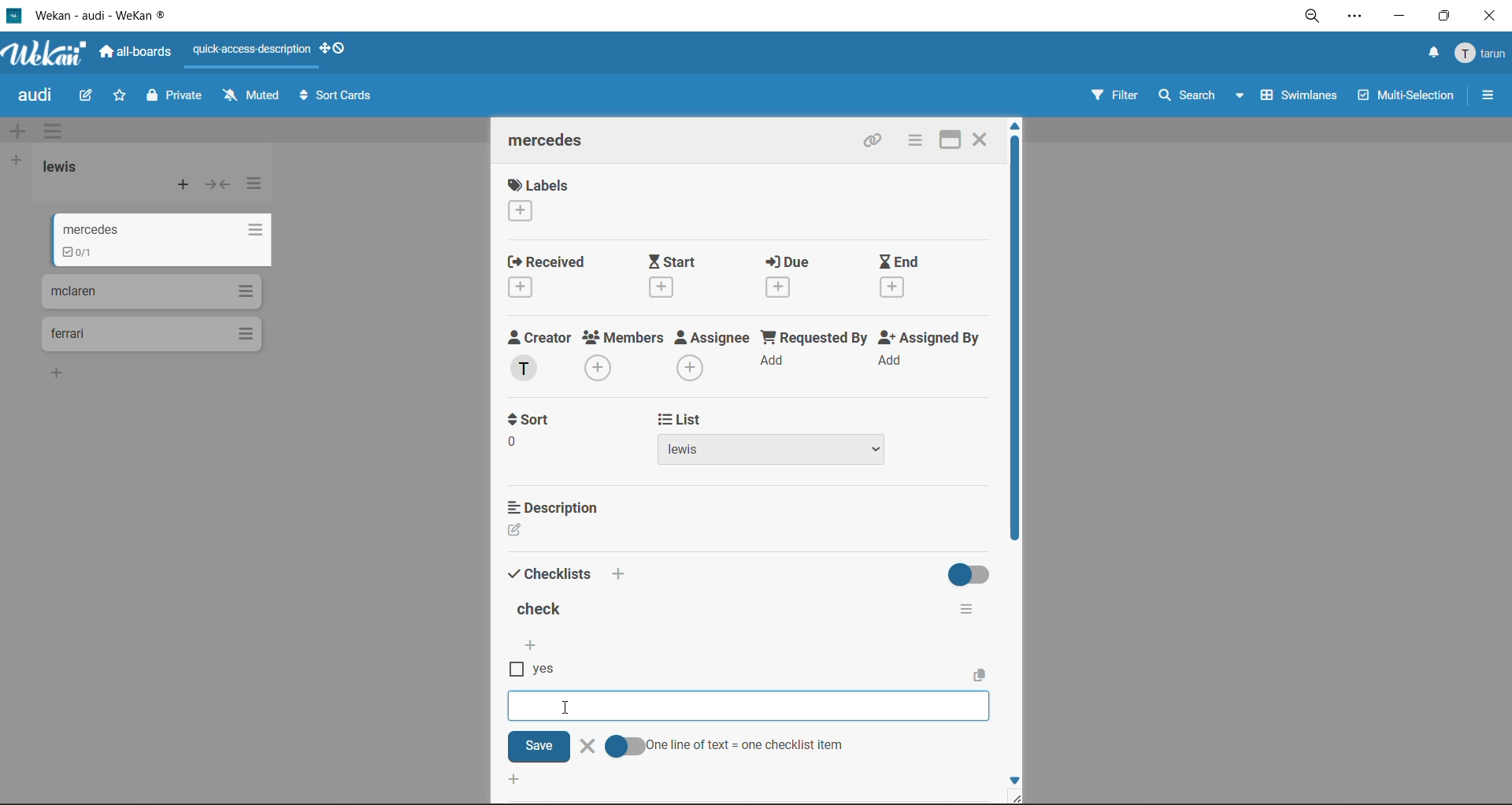  I want to click on quick access description, so click(256, 50).